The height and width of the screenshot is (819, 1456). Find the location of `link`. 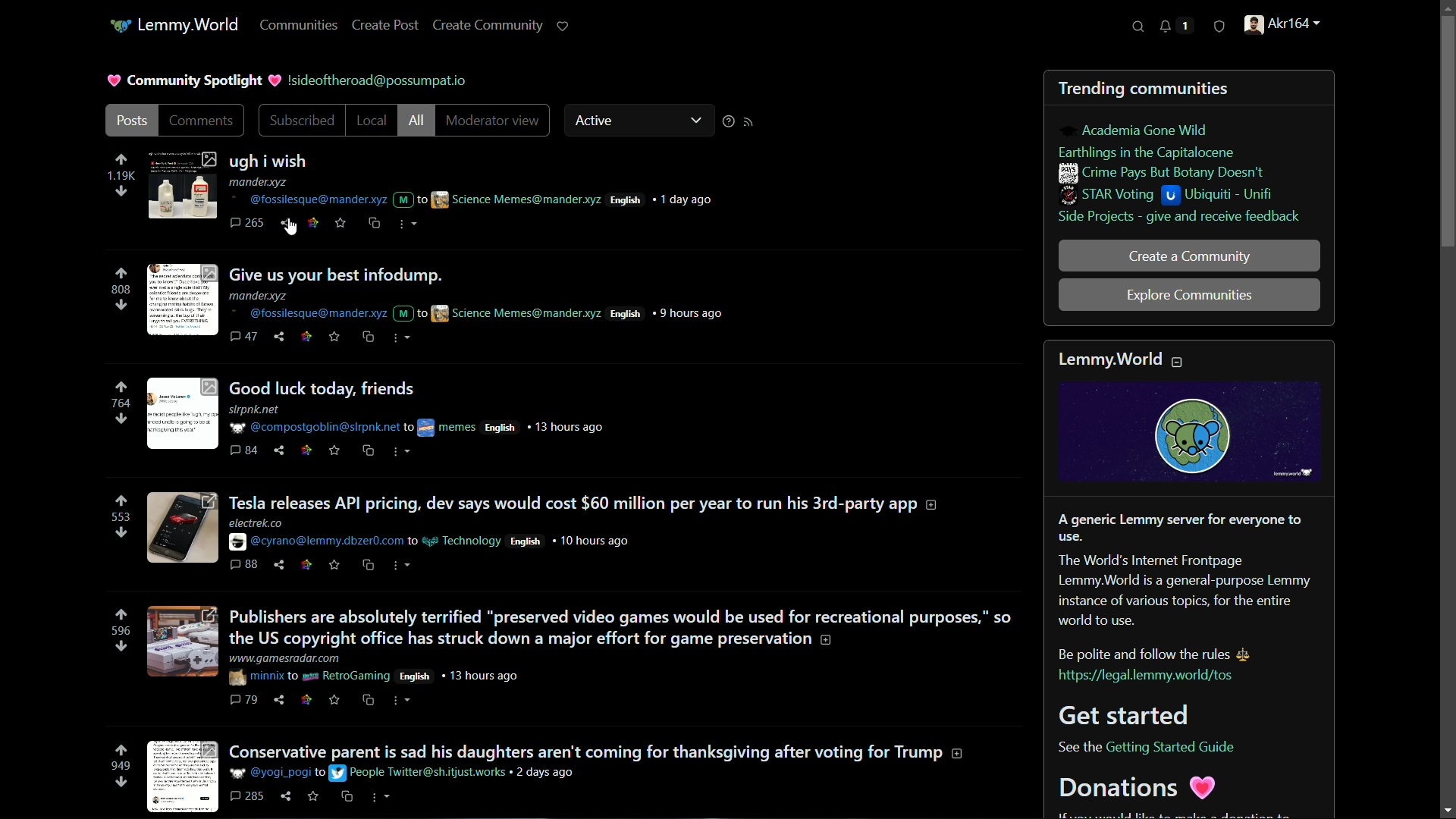

link is located at coordinates (305, 451).